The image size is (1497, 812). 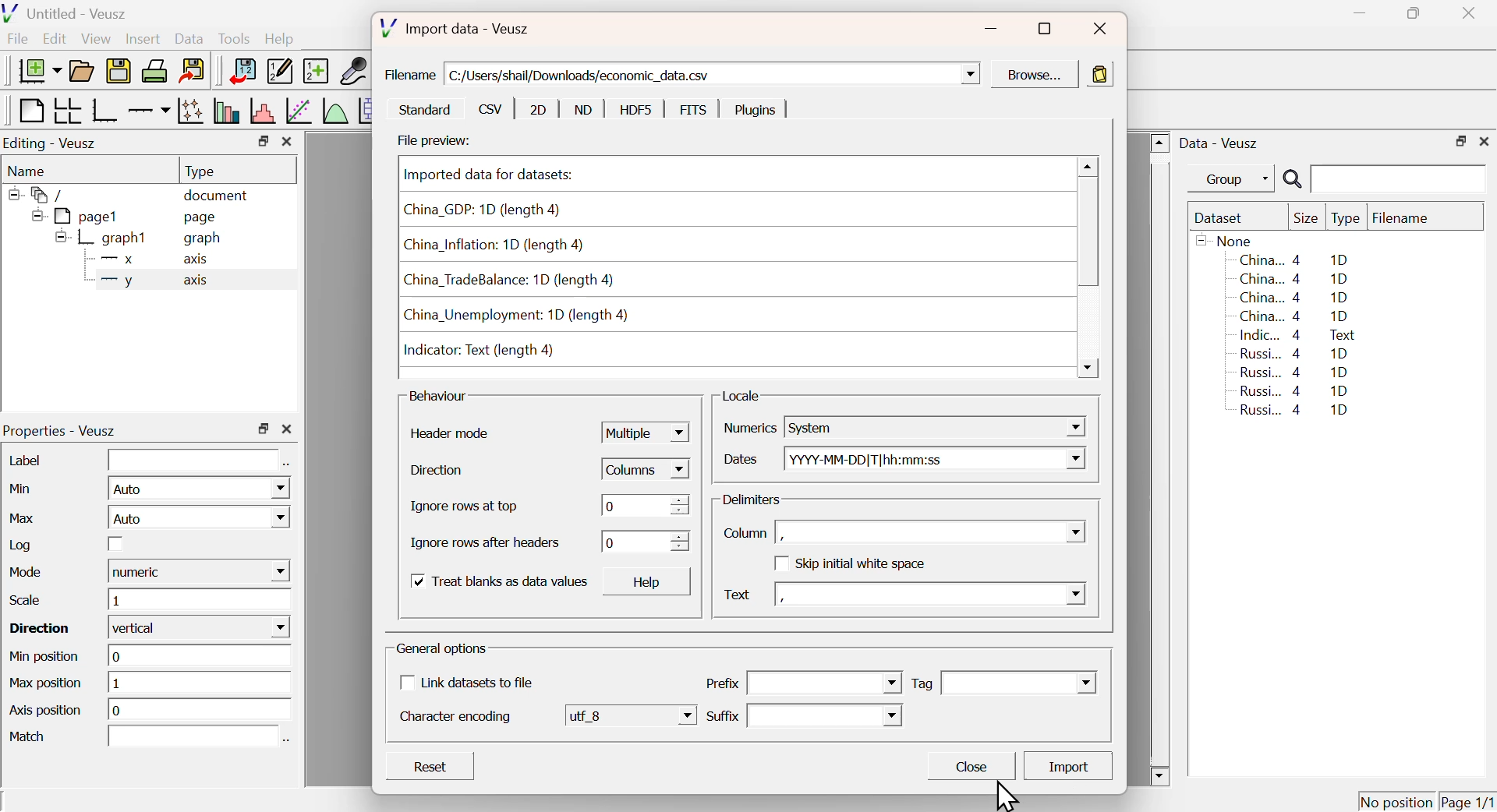 I want to click on Help, so click(x=645, y=582).